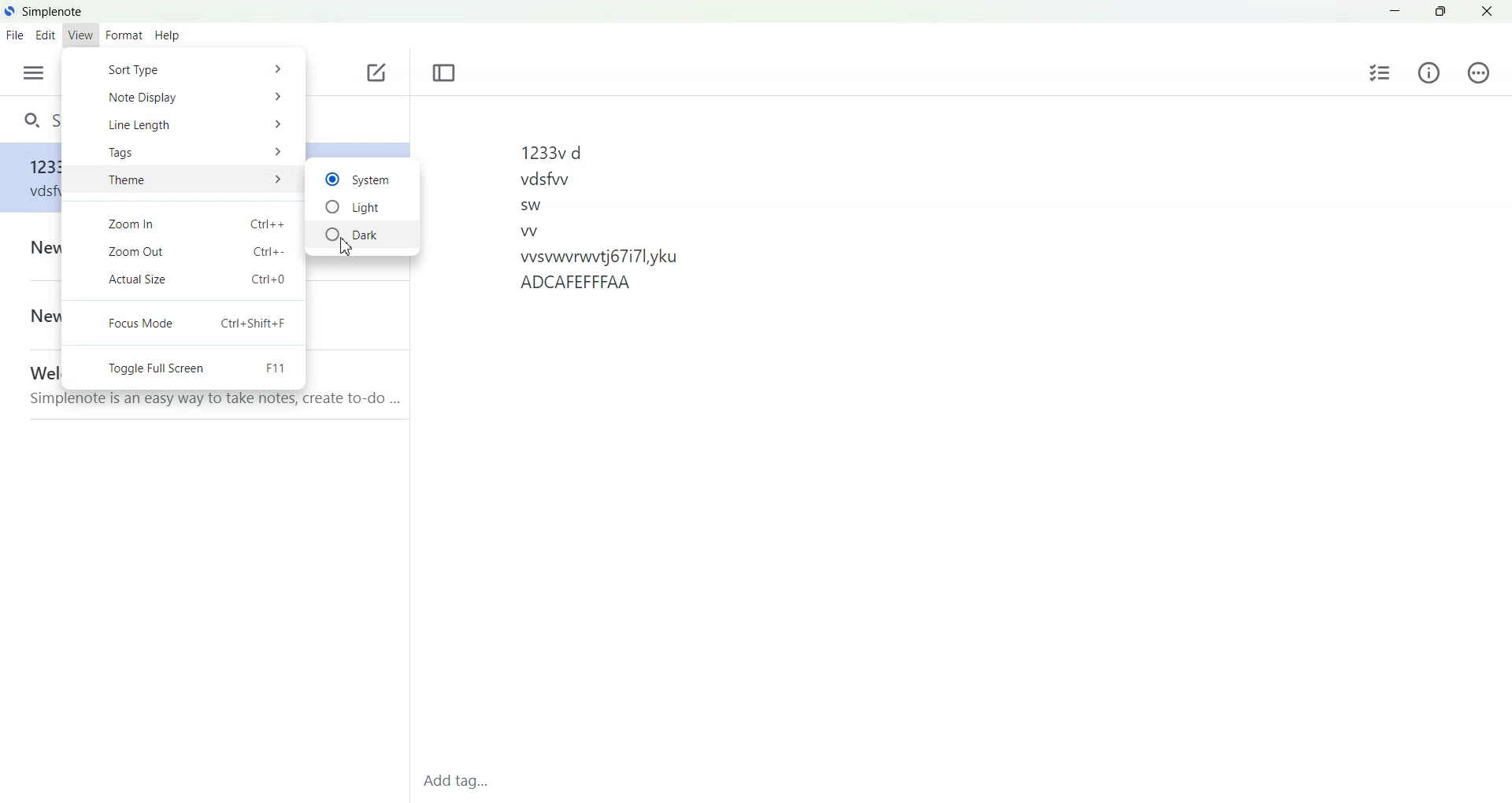 This screenshot has width=1512, height=803. I want to click on Action, so click(1479, 72).